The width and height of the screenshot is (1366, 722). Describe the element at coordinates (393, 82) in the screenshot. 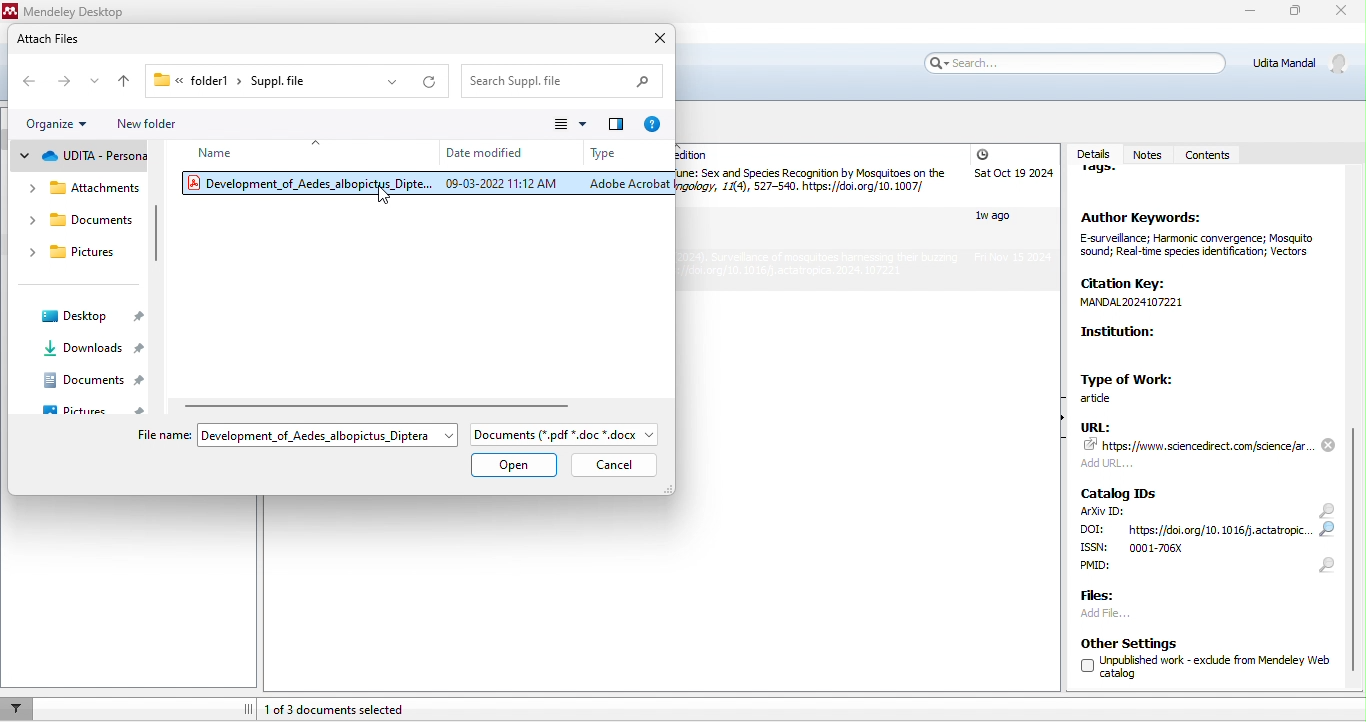

I see `drop down` at that location.